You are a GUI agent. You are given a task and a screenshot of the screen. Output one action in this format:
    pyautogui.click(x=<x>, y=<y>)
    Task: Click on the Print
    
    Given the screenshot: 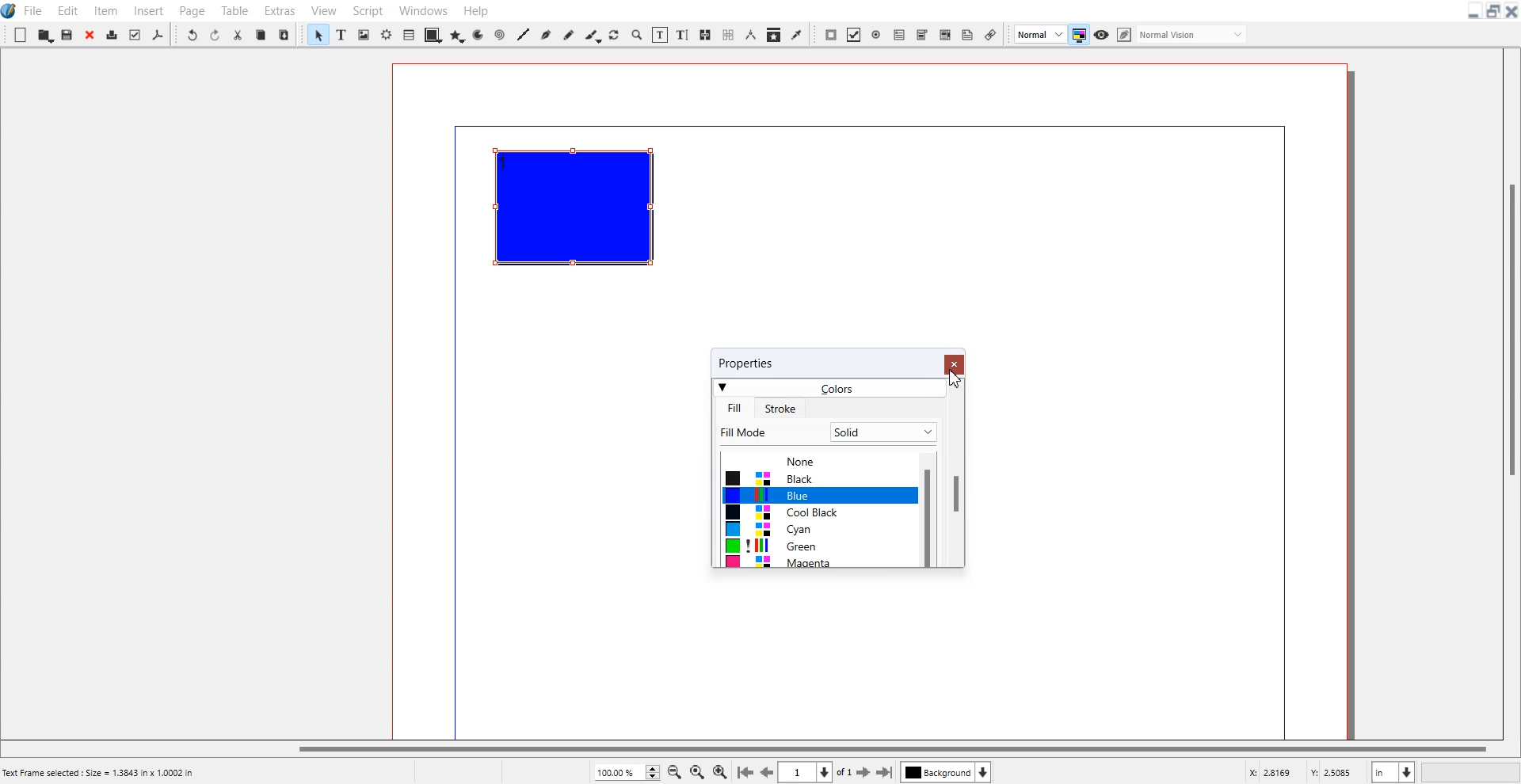 What is the action you would take?
    pyautogui.click(x=113, y=34)
    